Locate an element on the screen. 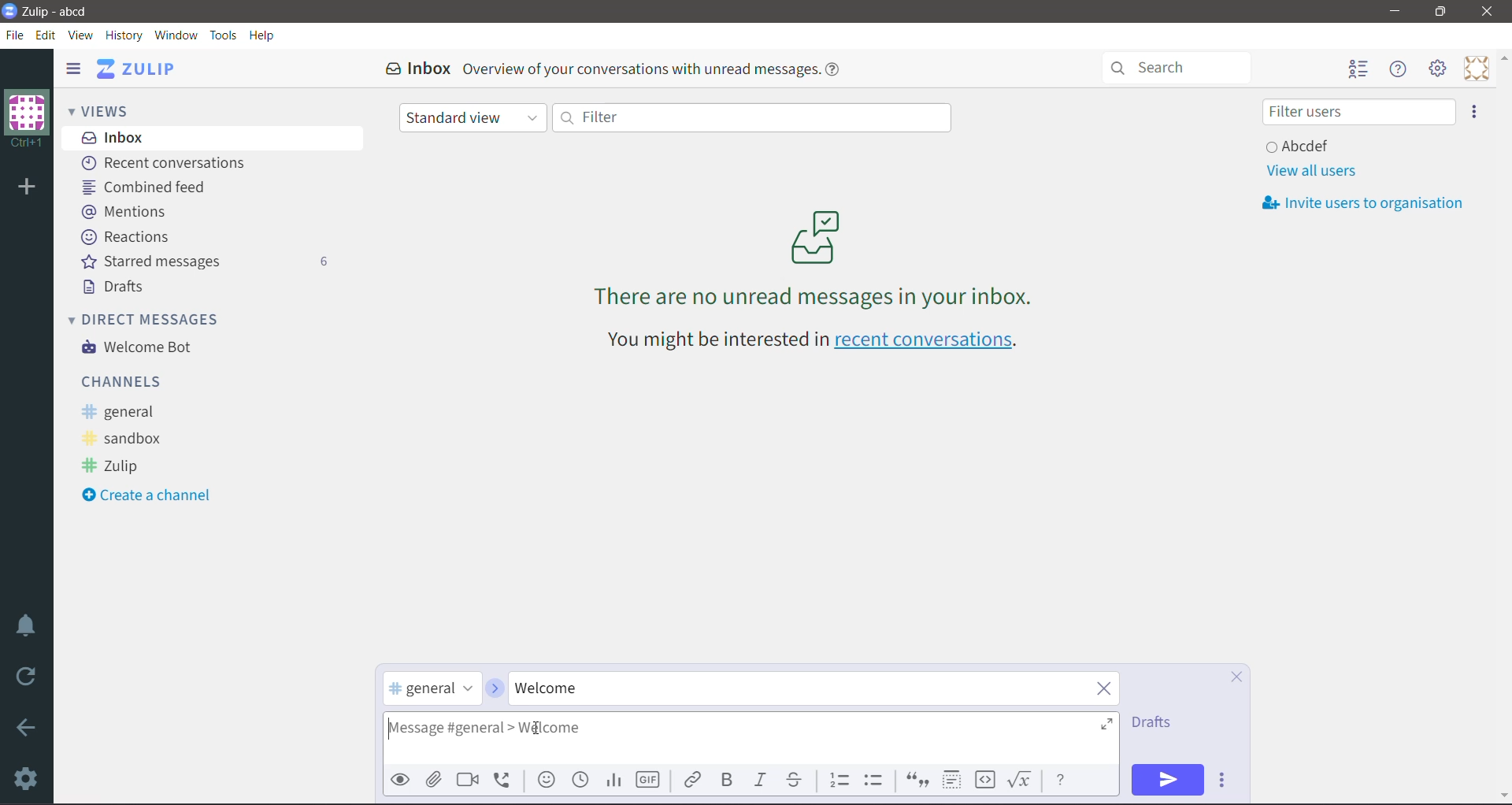 The width and height of the screenshot is (1512, 805). Spoiler is located at coordinates (951, 781).